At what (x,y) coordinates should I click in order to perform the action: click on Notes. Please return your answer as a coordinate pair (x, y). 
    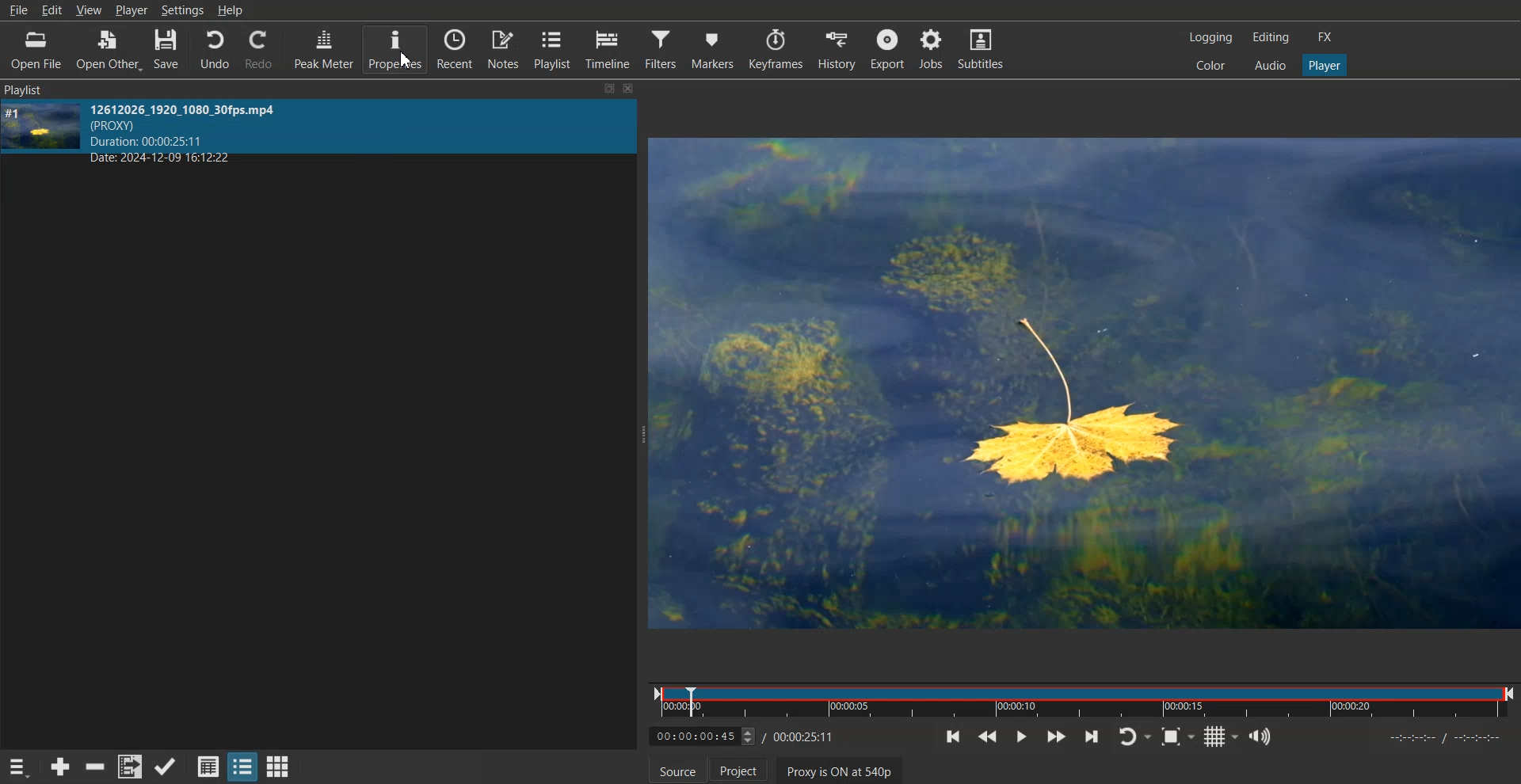
    Looking at the image, I should click on (503, 49).